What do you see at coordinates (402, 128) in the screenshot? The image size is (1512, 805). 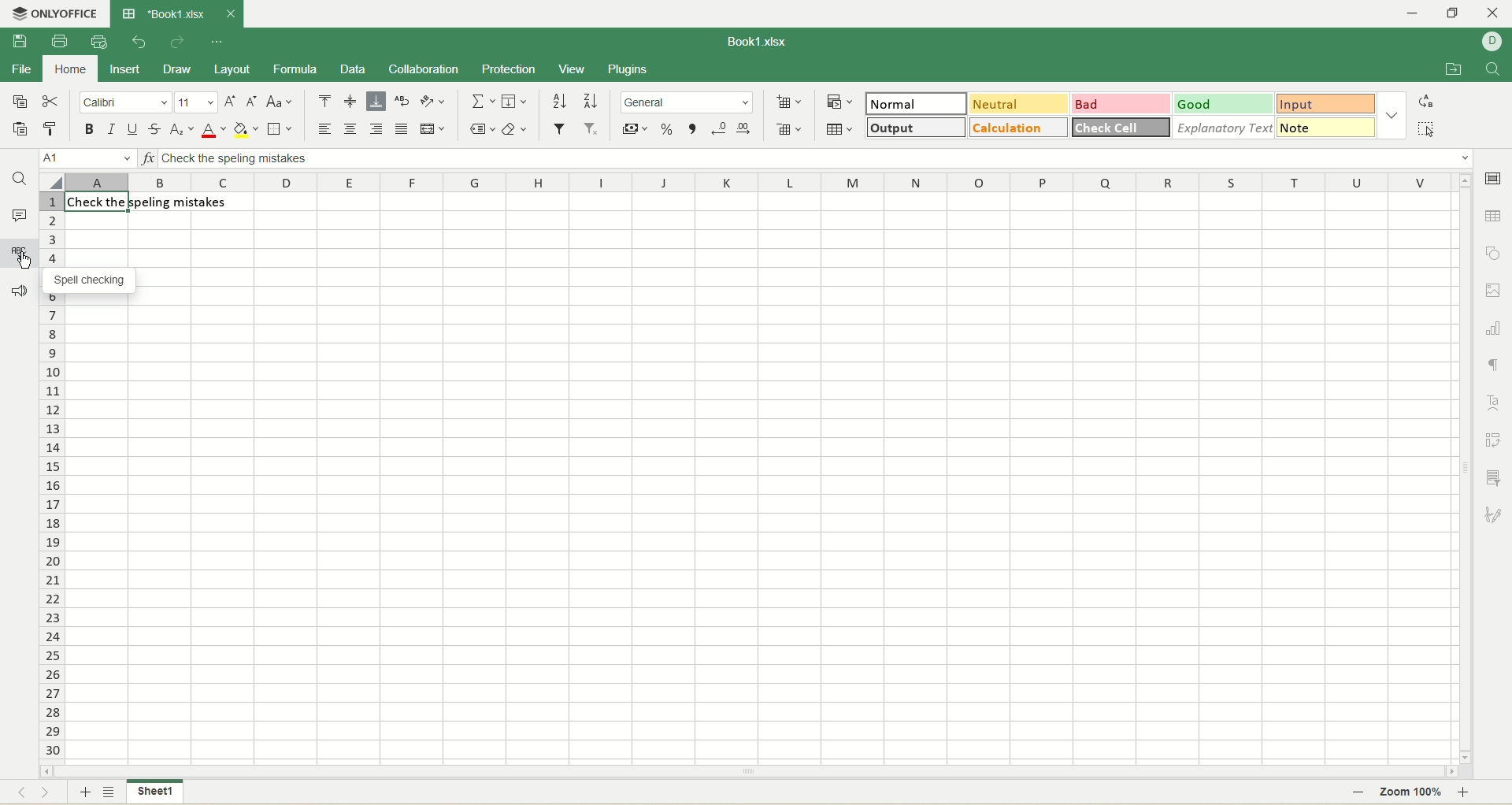 I see `justified` at bounding box center [402, 128].